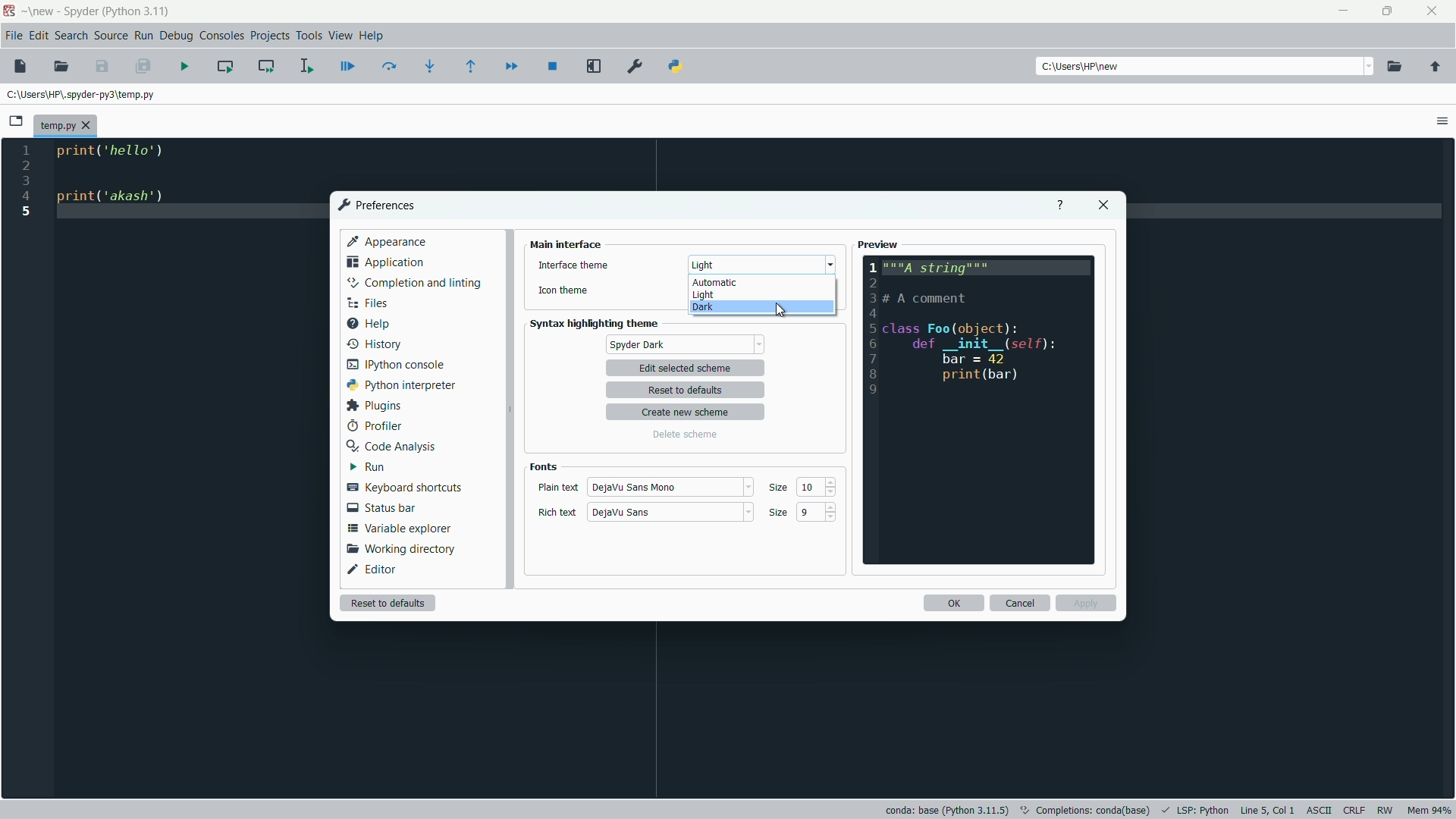  I want to click on editor, so click(374, 569).